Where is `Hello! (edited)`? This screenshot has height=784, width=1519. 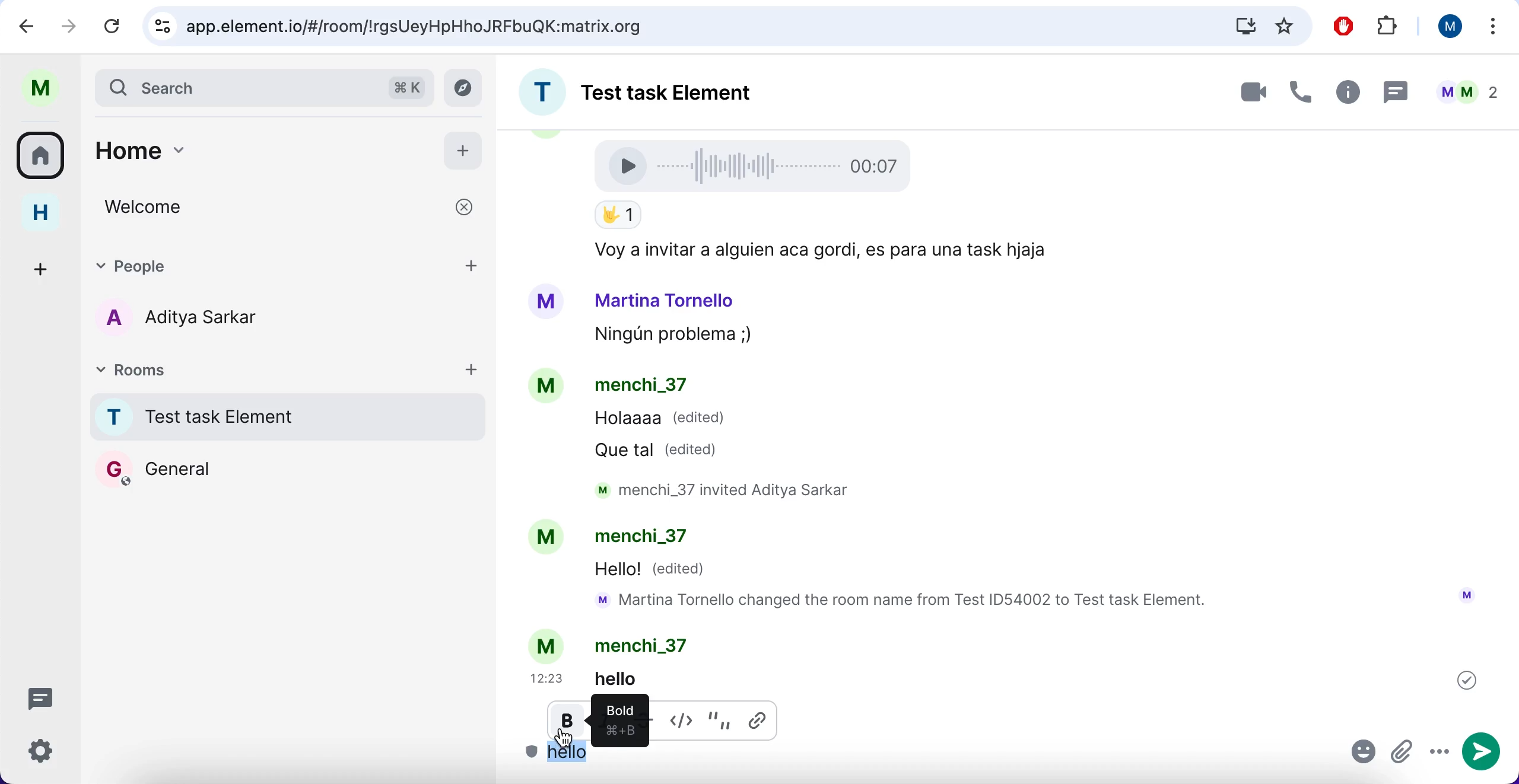
Hello! (edited) is located at coordinates (652, 571).